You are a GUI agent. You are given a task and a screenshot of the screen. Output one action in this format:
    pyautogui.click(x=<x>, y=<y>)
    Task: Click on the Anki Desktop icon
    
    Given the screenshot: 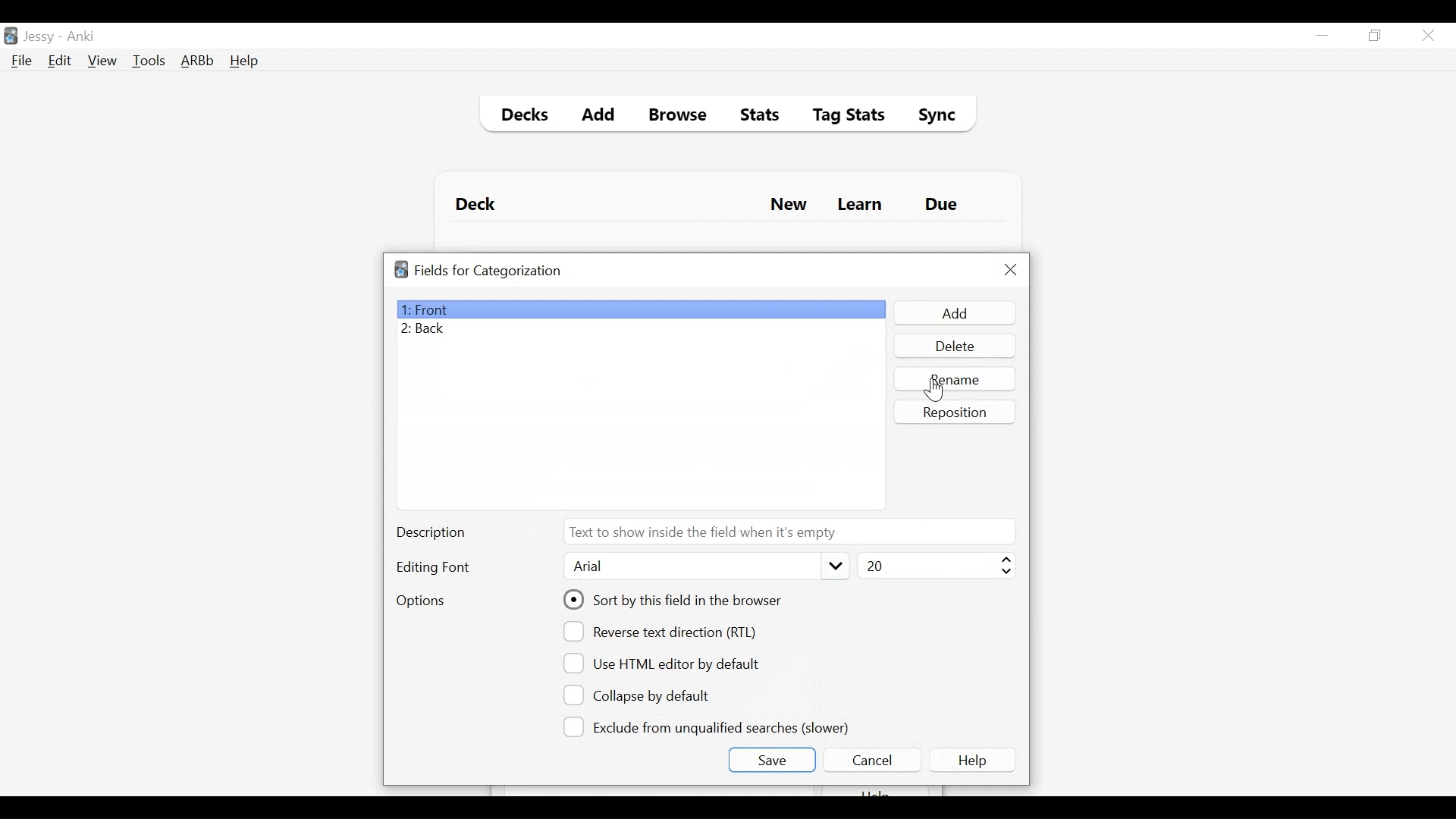 What is the action you would take?
    pyautogui.click(x=11, y=36)
    